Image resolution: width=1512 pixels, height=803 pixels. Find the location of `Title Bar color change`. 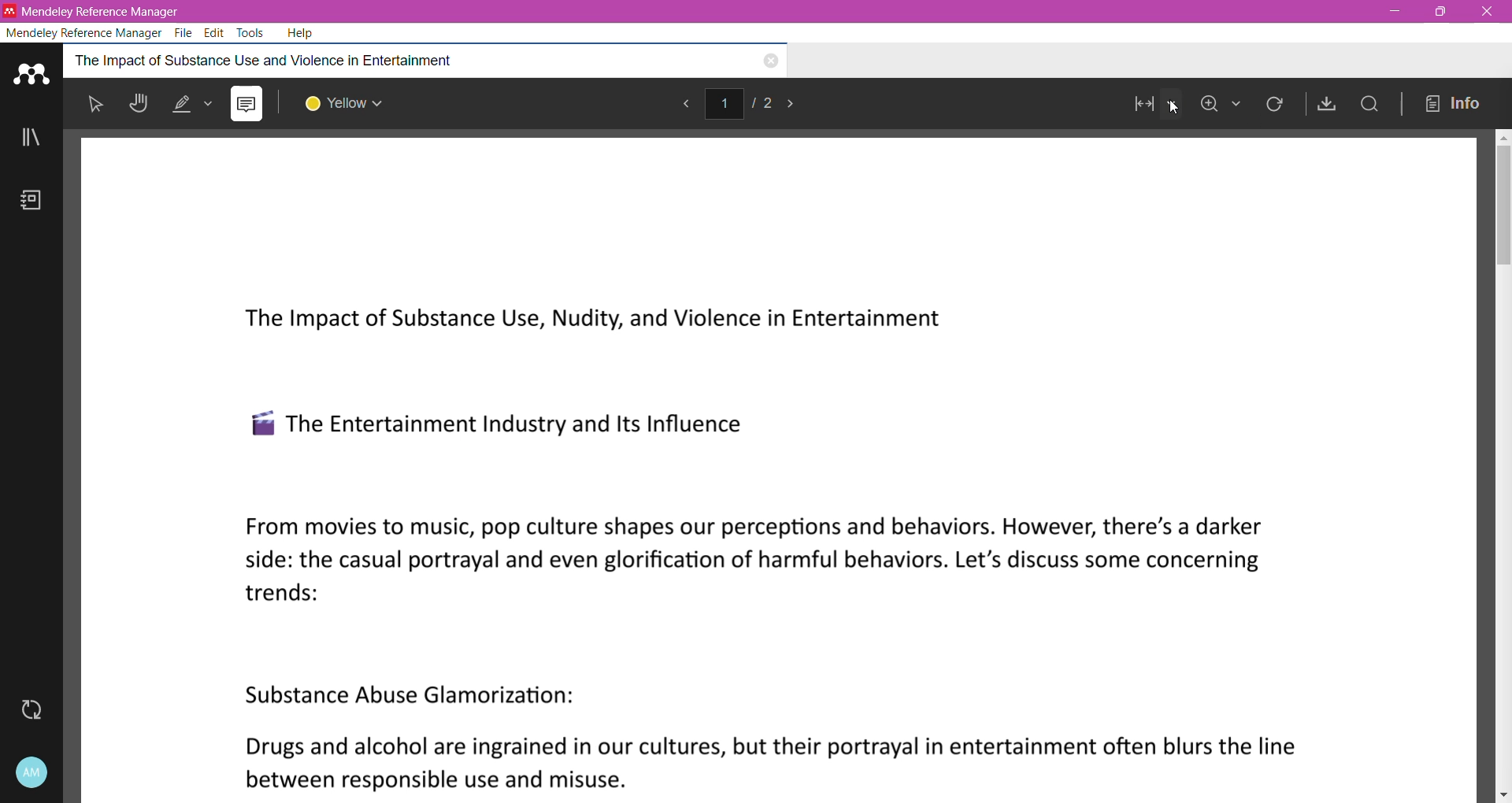

Title Bar color change is located at coordinates (843, 12).